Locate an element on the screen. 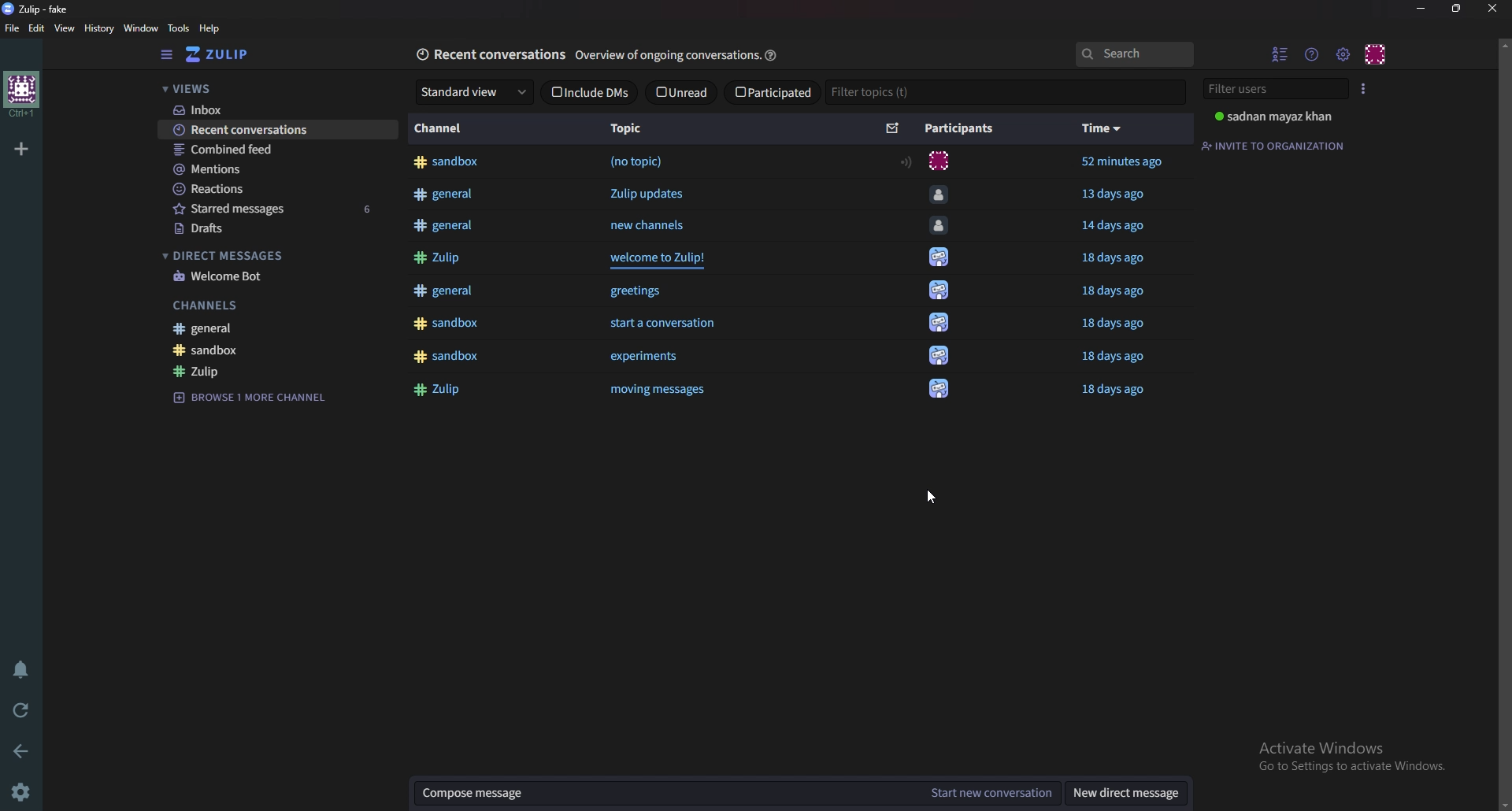 The width and height of the screenshot is (1512, 811). start a conversation is located at coordinates (661, 328).